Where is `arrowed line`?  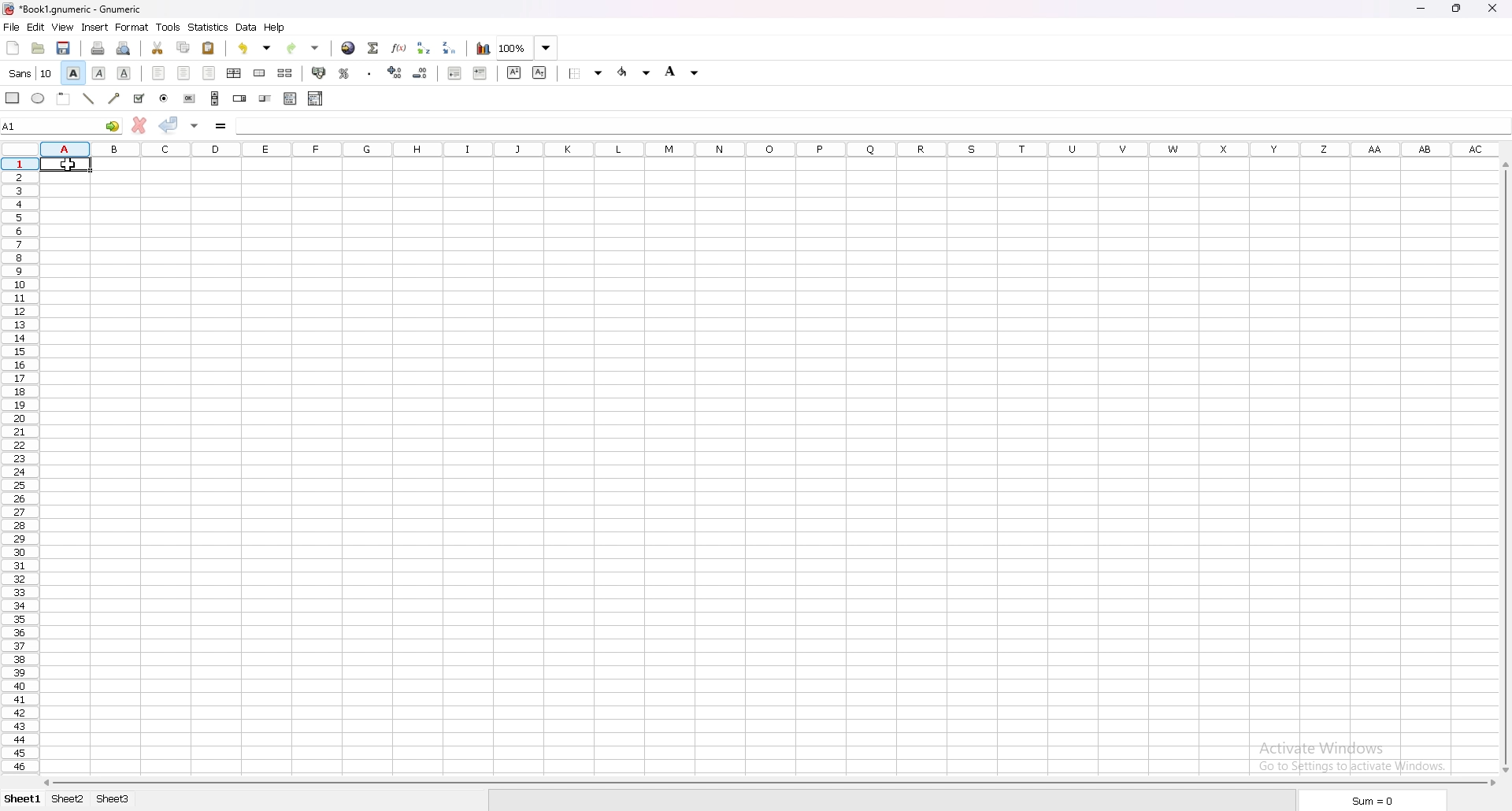
arrowed line is located at coordinates (115, 99).